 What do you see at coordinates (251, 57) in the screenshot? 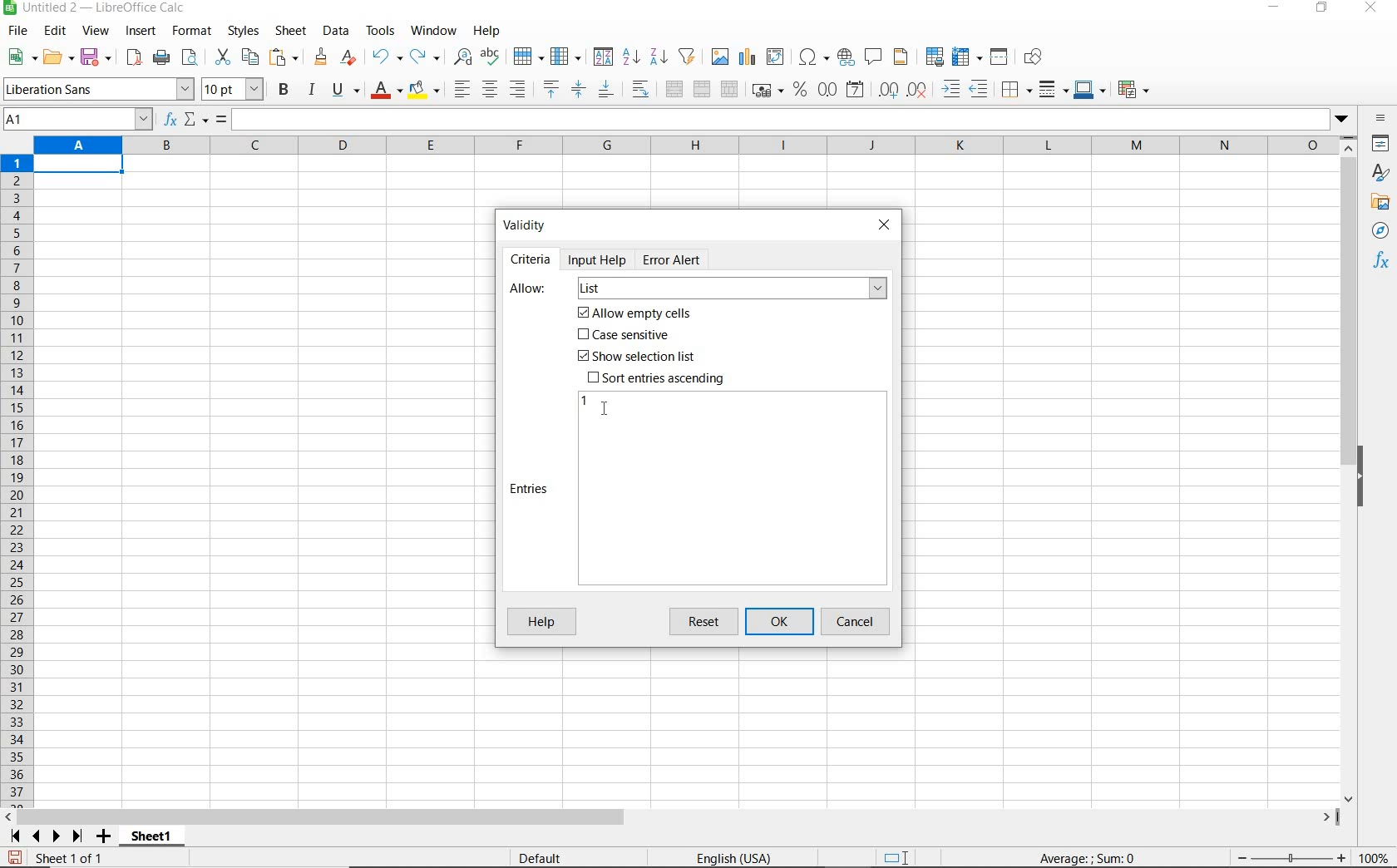
I see `copy` at bounding box center [251, 57].